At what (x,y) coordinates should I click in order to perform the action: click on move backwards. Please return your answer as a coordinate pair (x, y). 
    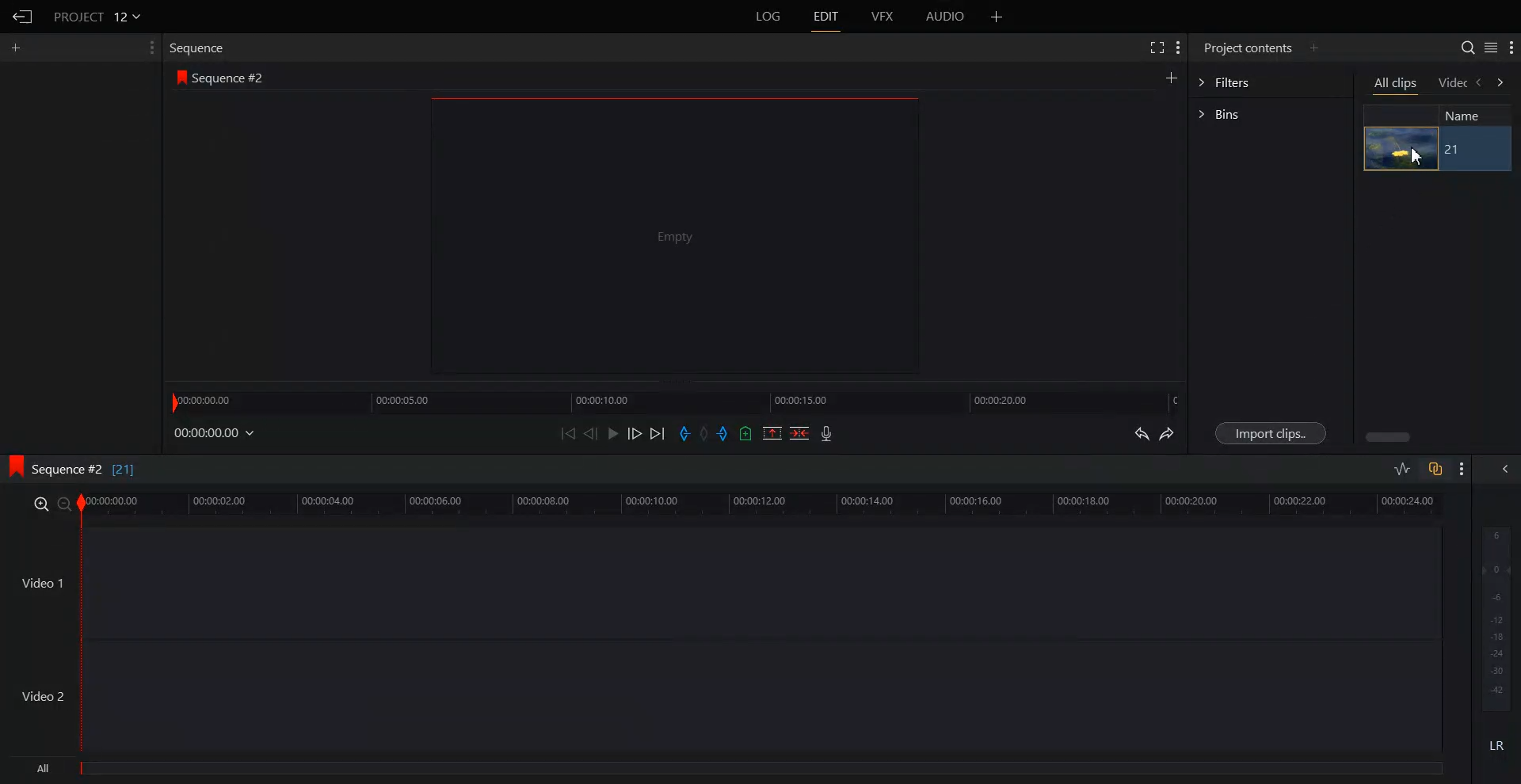
    Looking at the image, I should click on (1480, 83).